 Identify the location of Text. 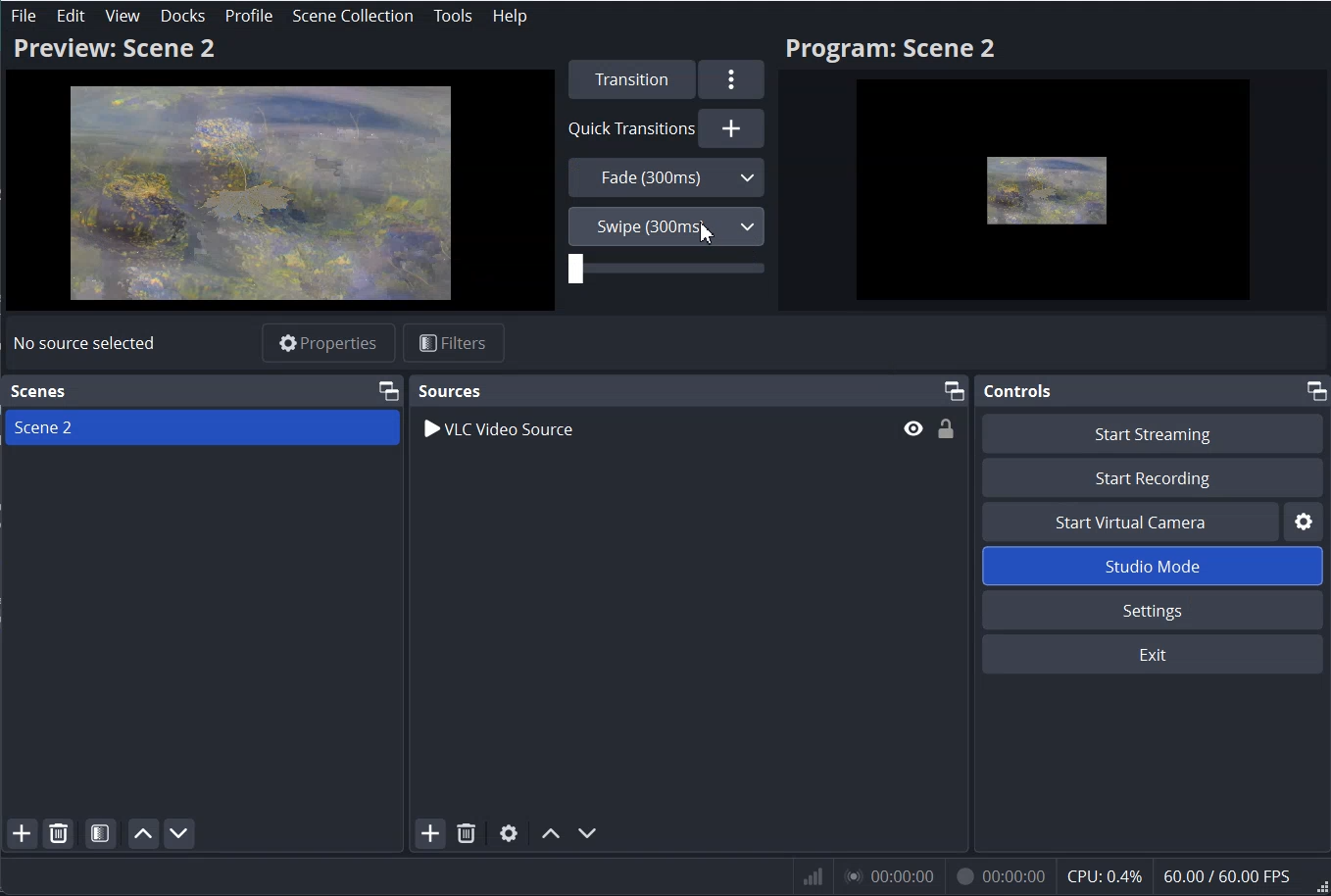
(83, 343).